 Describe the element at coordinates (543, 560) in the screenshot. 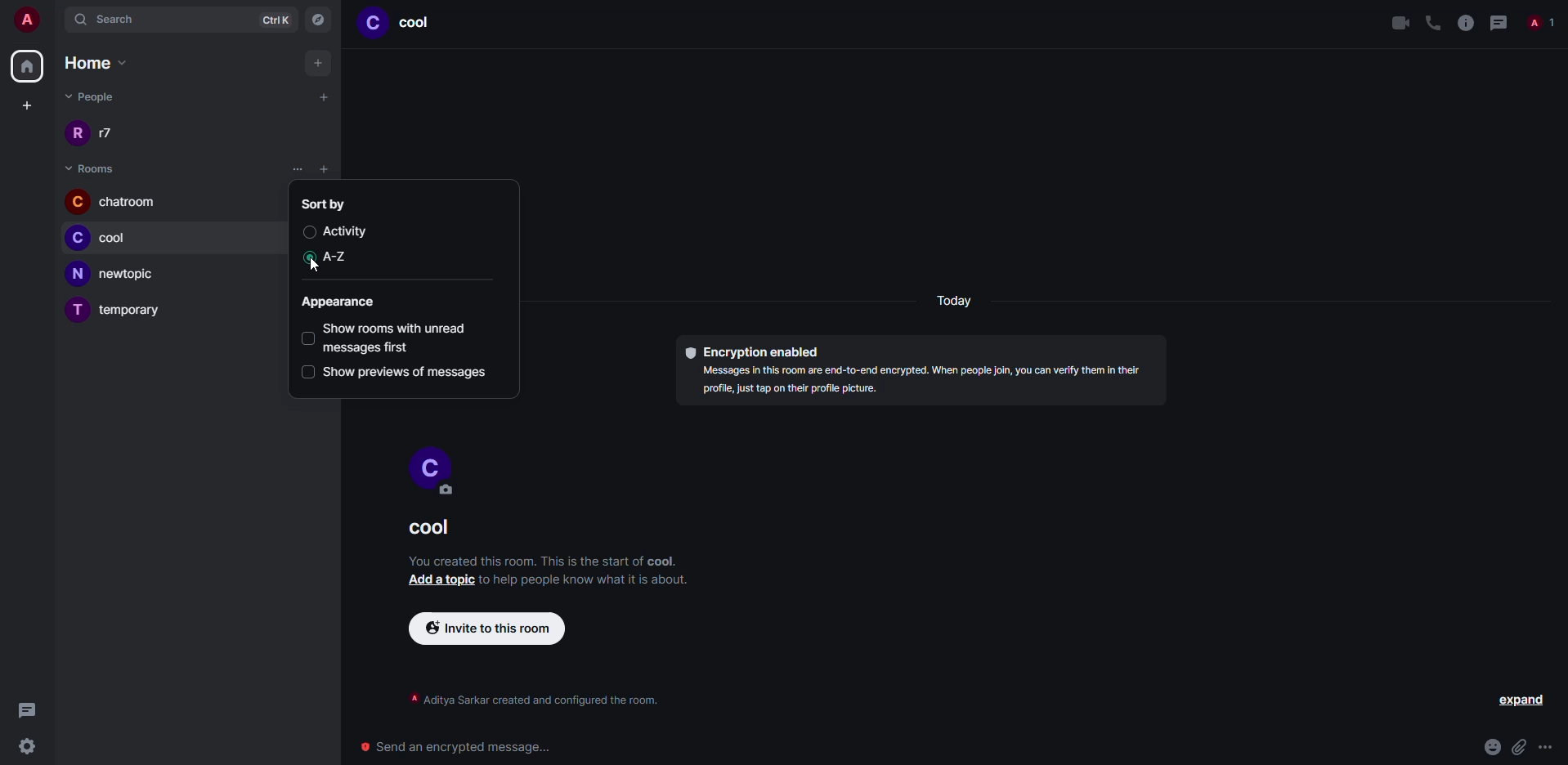

I see `info` at that location.